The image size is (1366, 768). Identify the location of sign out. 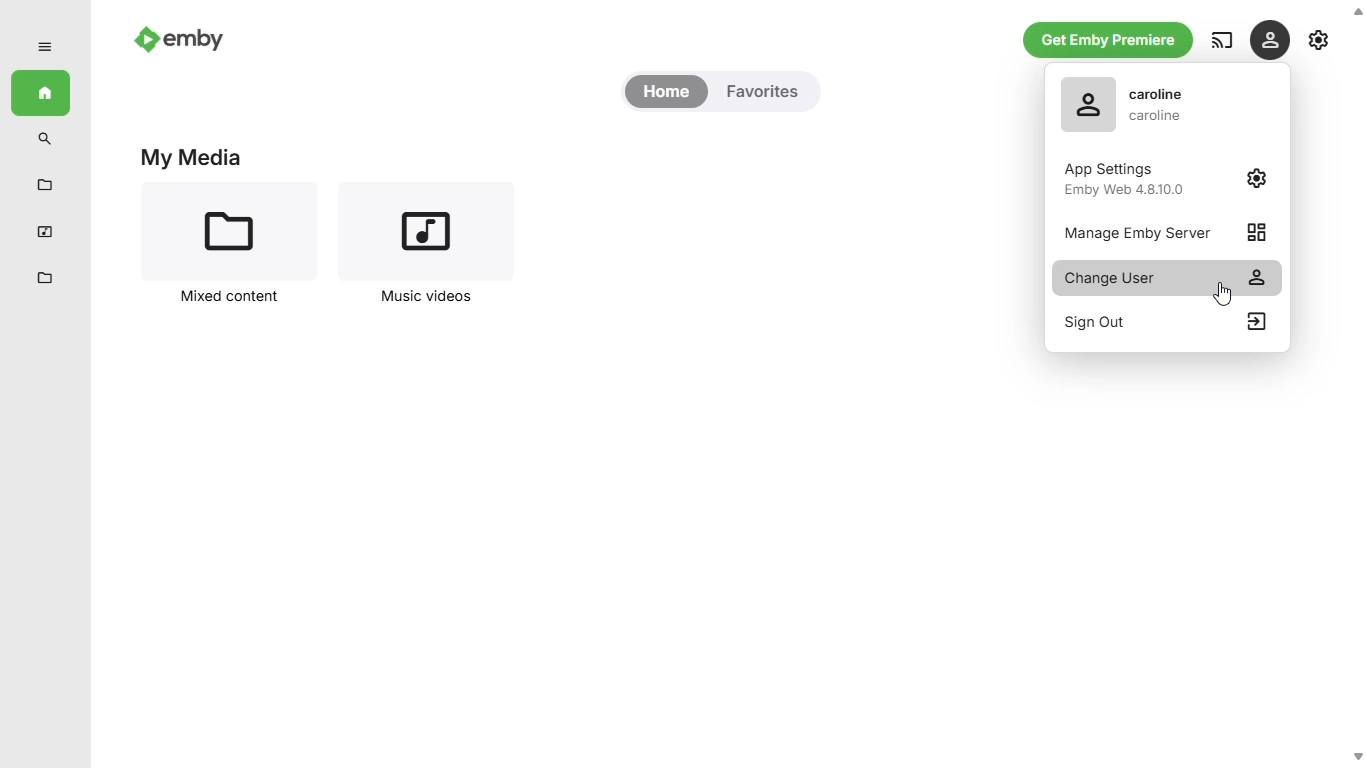
(1163, 322).